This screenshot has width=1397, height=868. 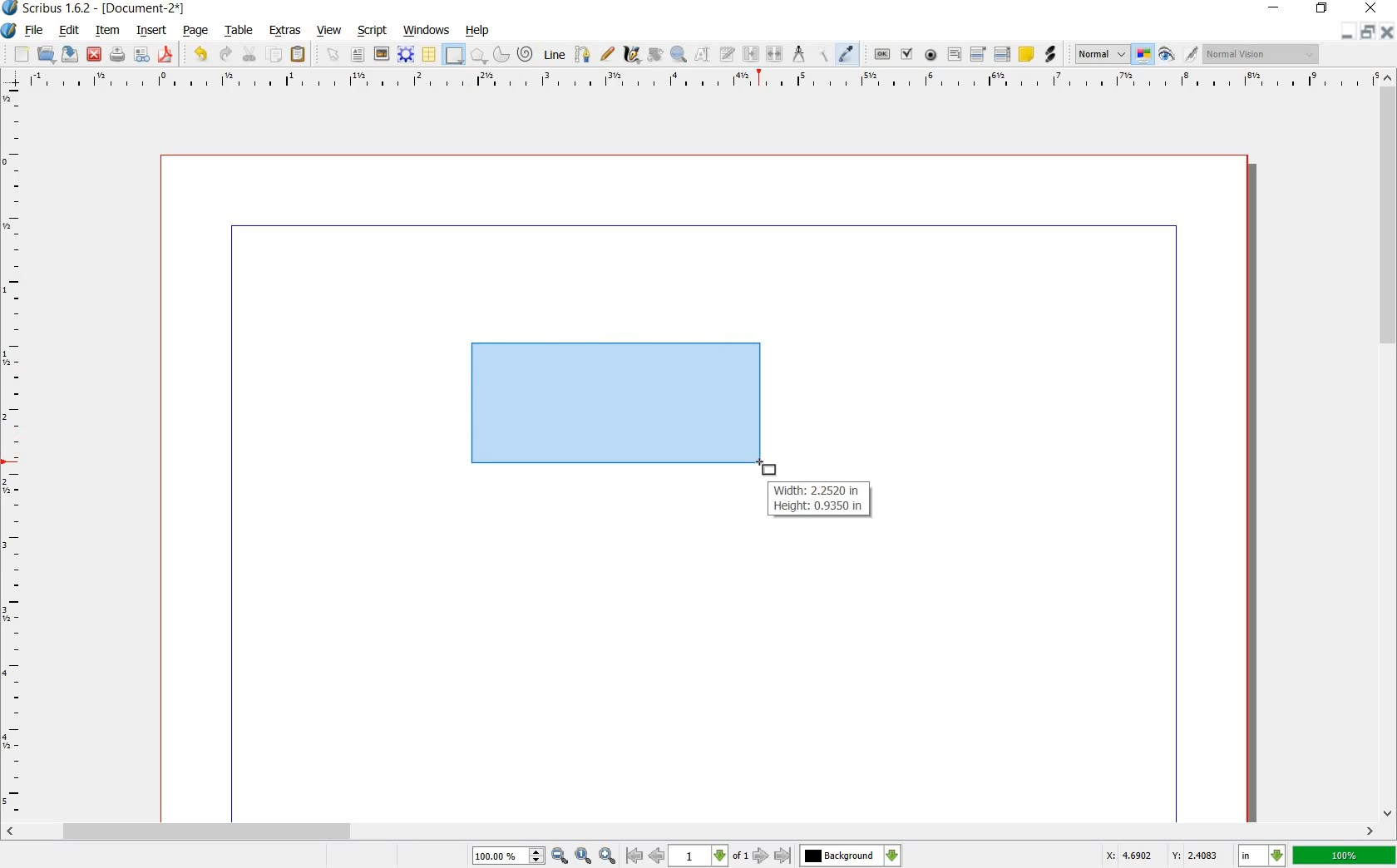 What do you see at coordinates (610, 406) in the screenshot?
I see `drawing shape` at bounding box center [610, 406].